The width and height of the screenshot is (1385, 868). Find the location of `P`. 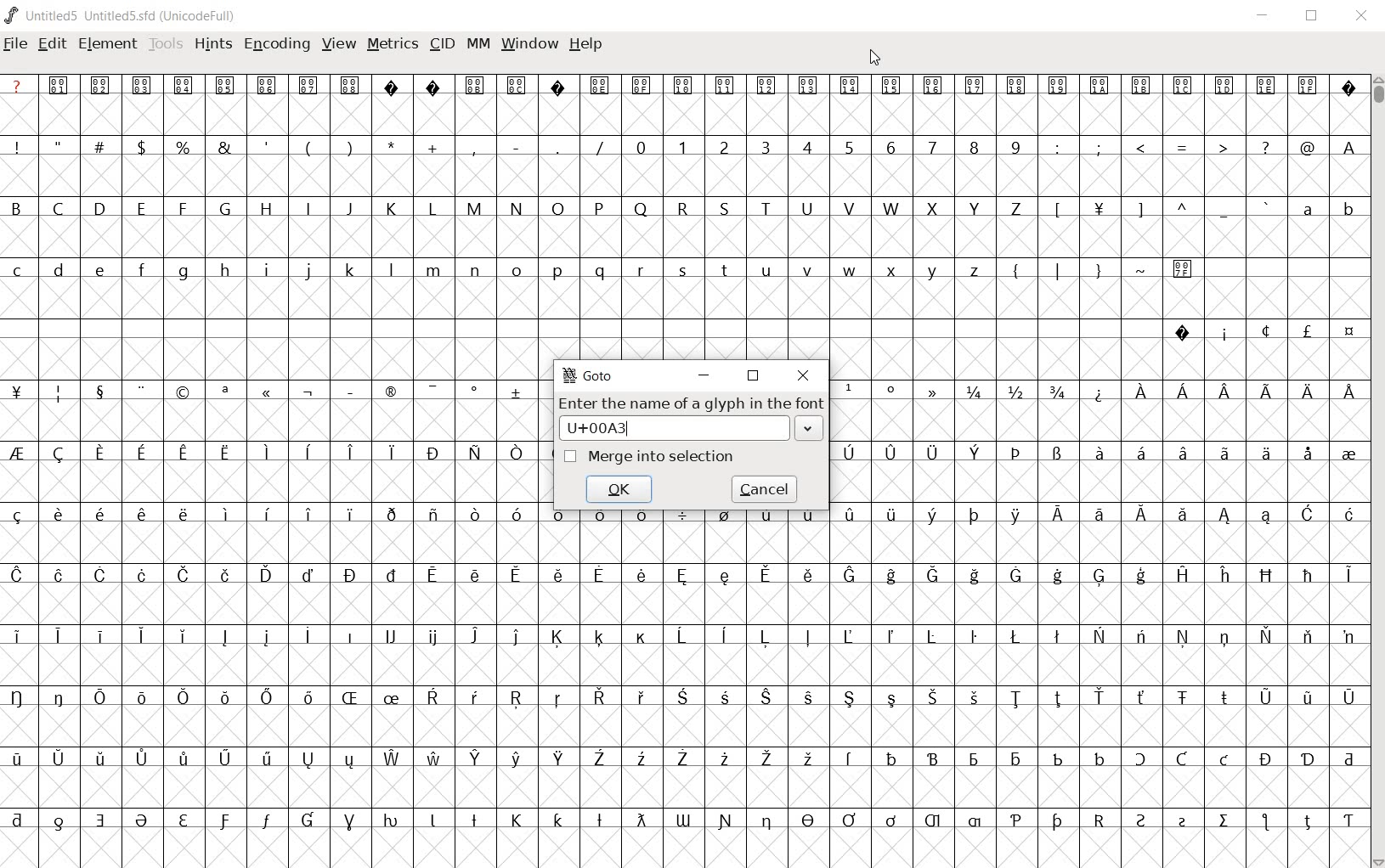

P is located at coordinates (597, 210).